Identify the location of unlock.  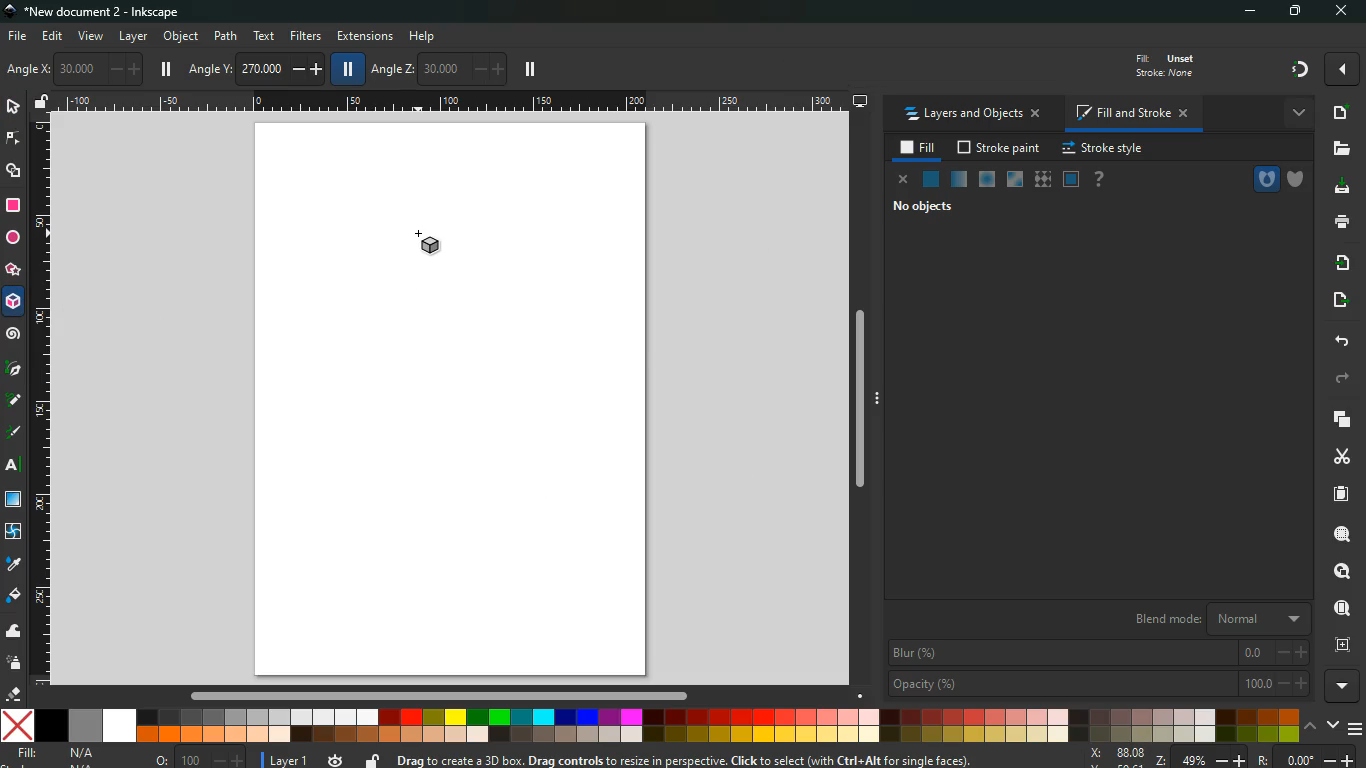
(372, 760).